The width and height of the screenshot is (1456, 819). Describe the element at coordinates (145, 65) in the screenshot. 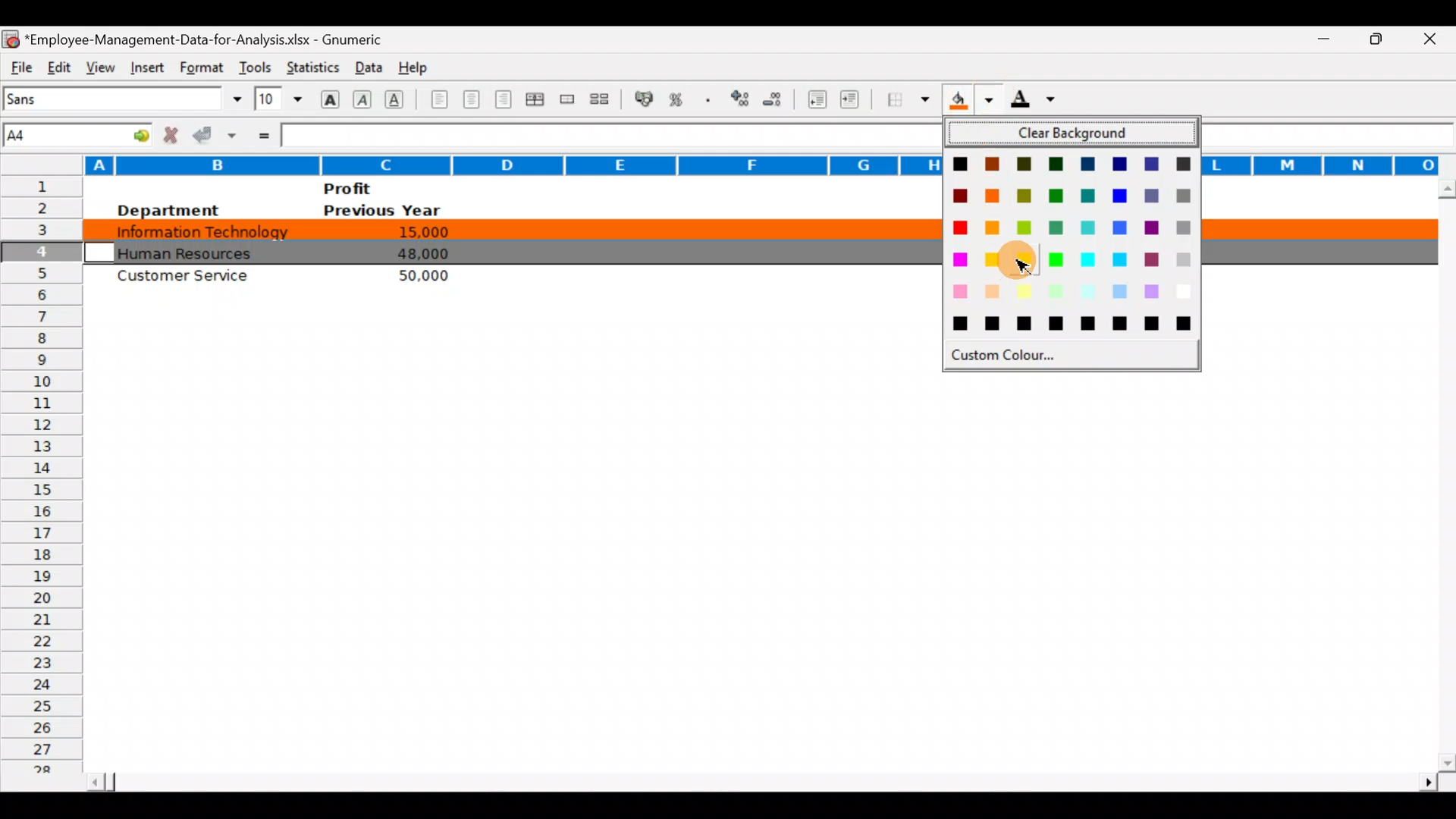

I see `Insert` at that location.